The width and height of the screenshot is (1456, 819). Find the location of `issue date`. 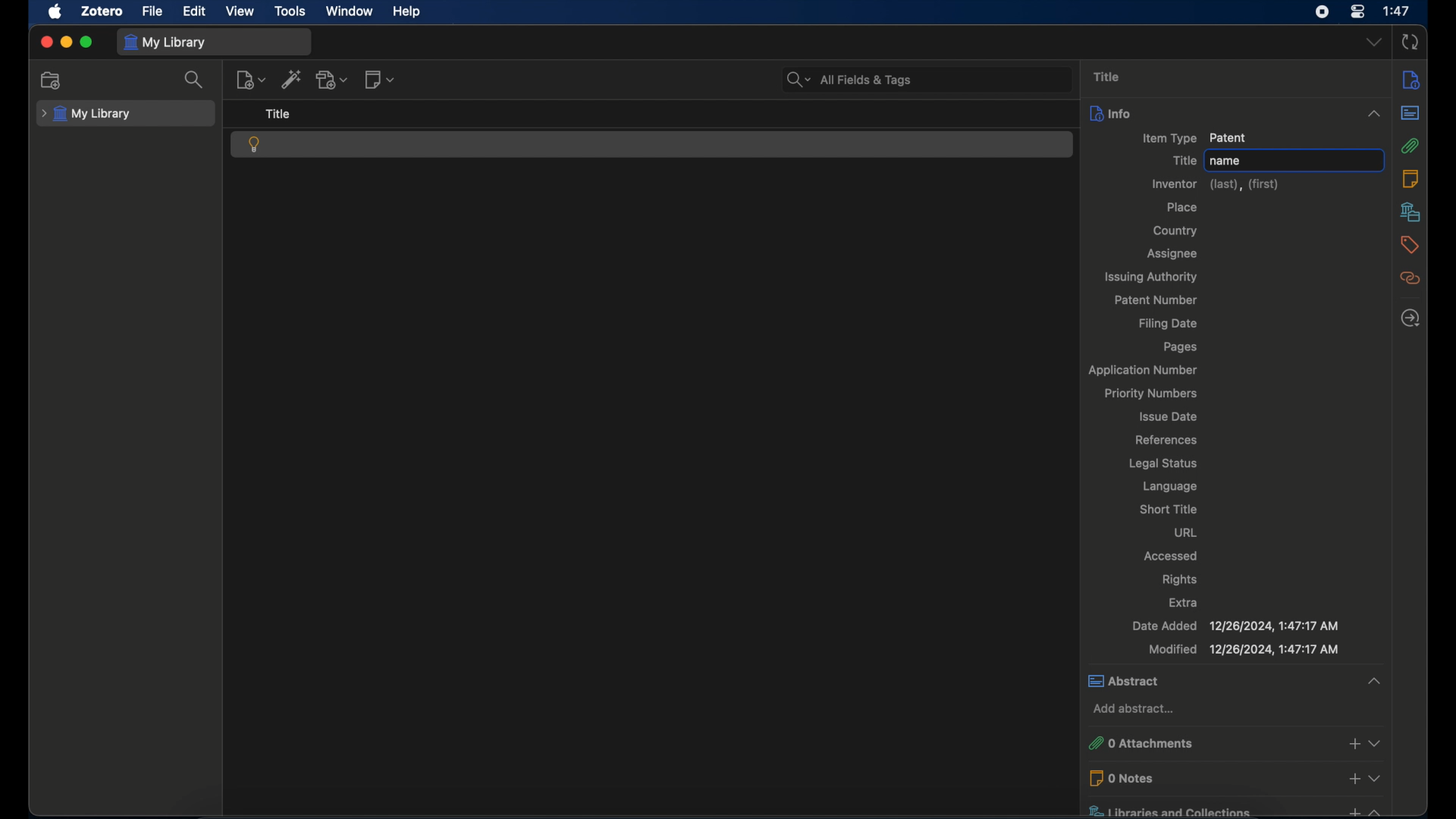

issue date is located at coordinates (1166, 416).